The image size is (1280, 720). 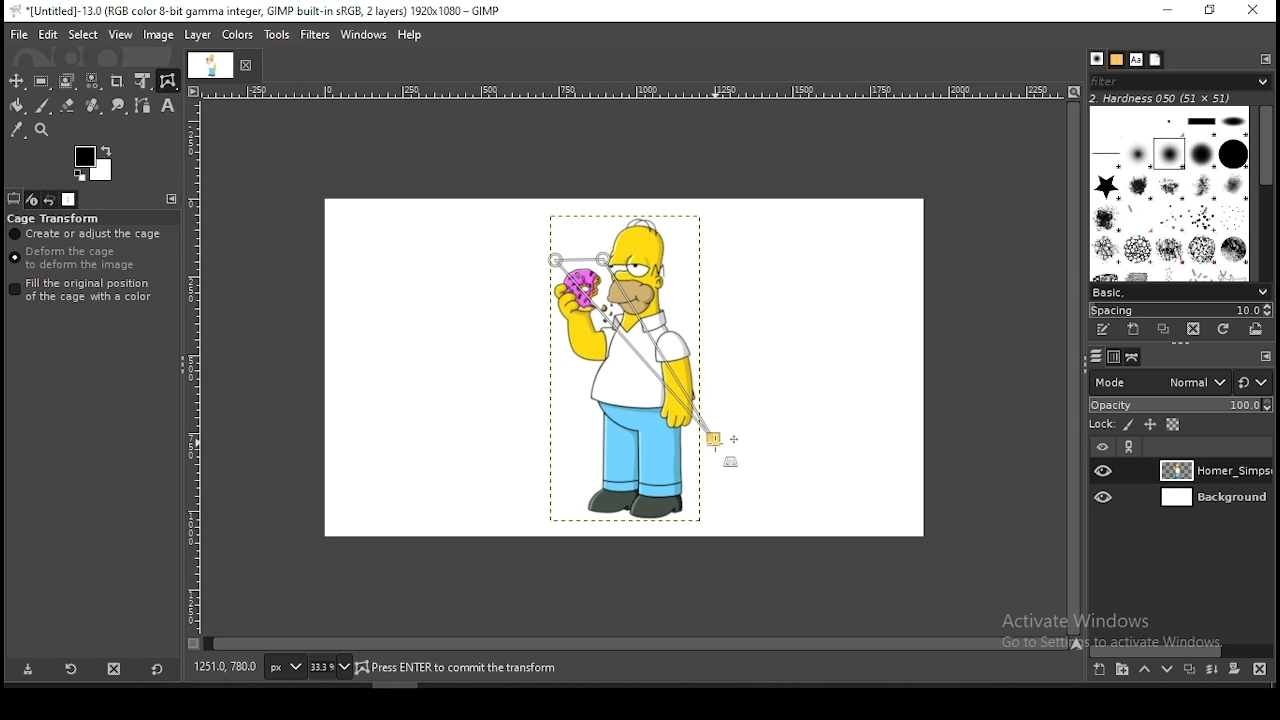 What do you see at coordinates (1253, 382) in the screenshot?
I see `rest` at bounding box center [1253, 382].